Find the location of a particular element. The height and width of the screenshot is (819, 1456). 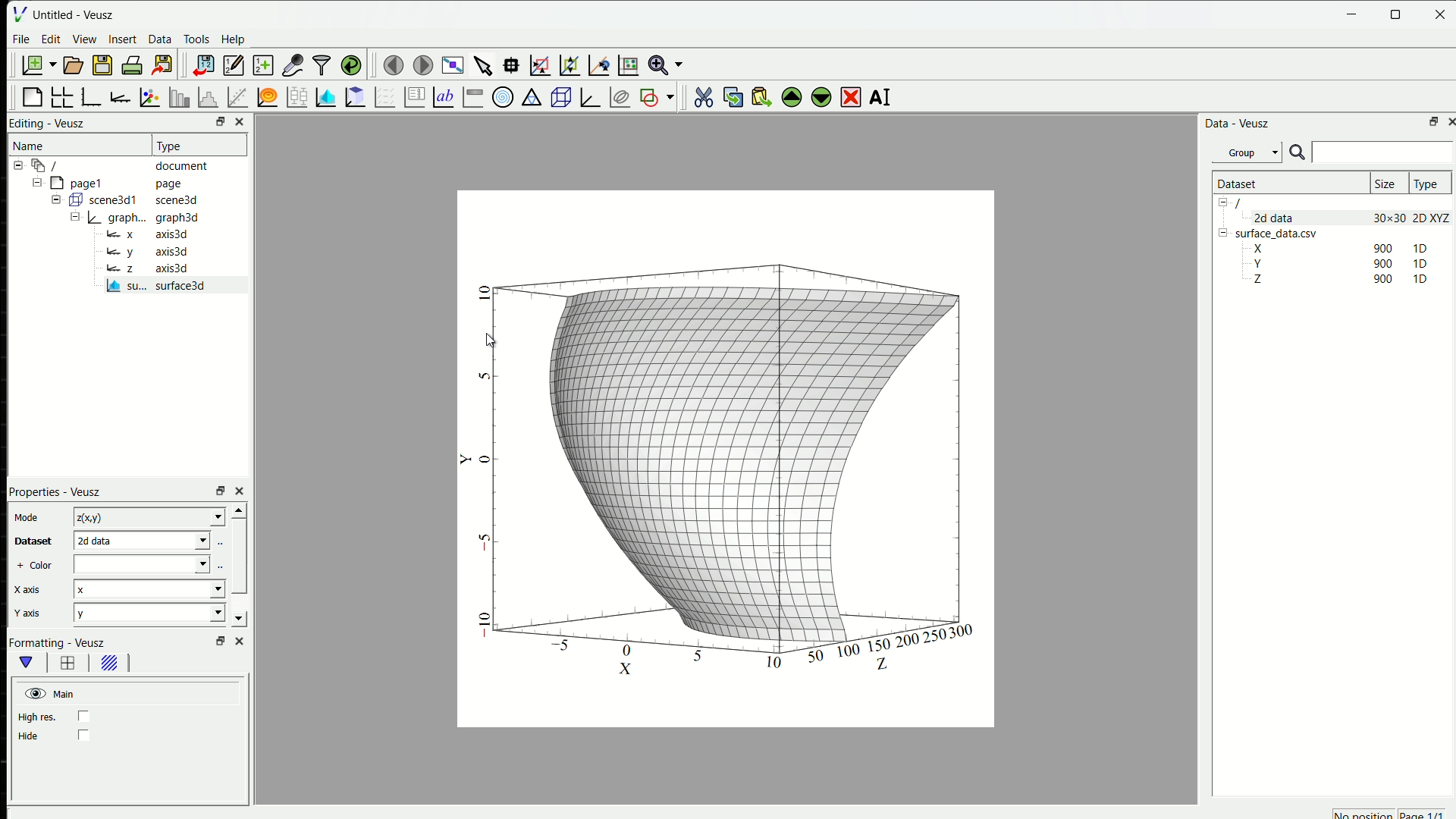

scrollbar is located at coordinates (241, 557).